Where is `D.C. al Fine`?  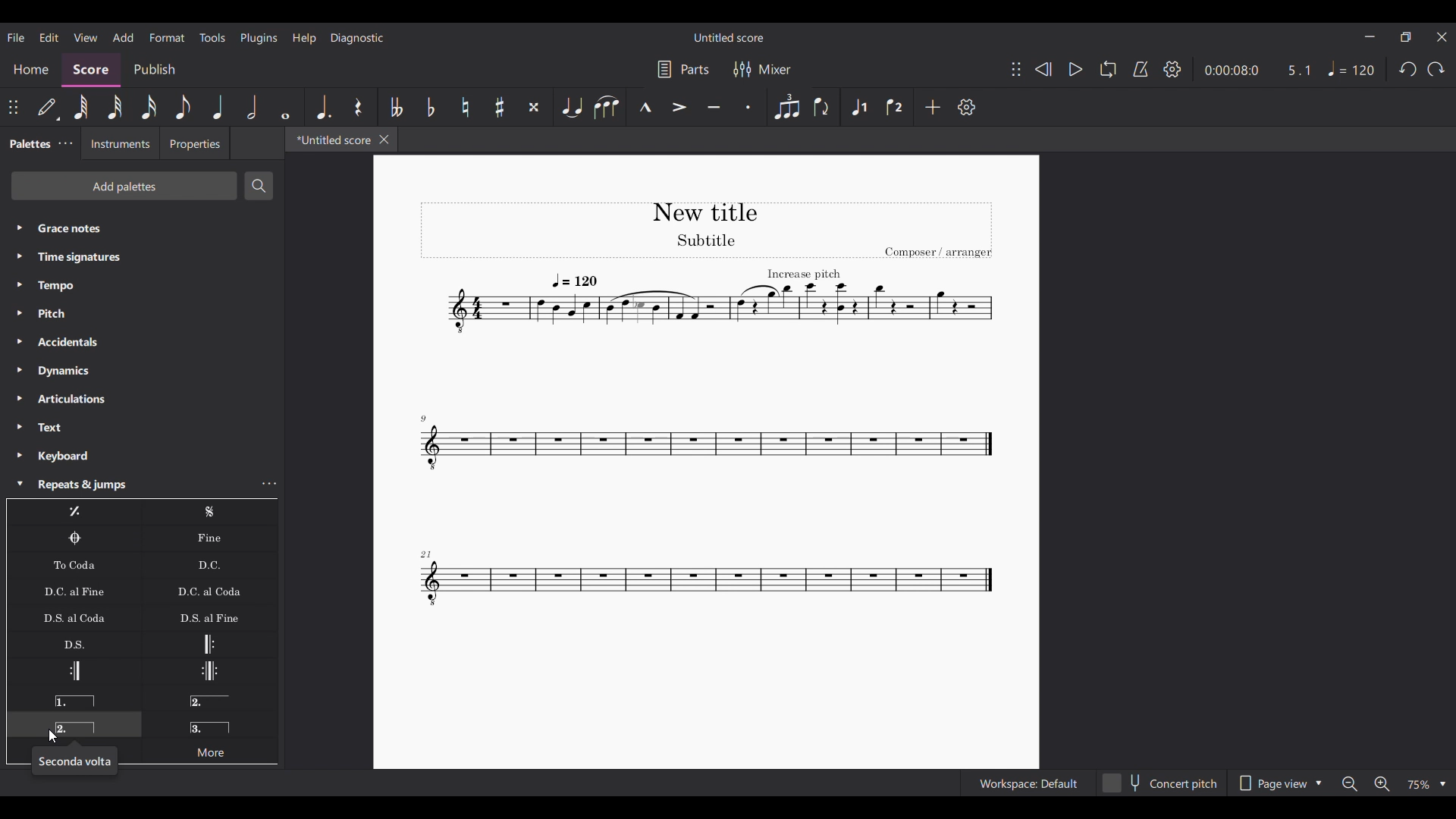
D.C. al Fine is located at coordinates (74, 591).